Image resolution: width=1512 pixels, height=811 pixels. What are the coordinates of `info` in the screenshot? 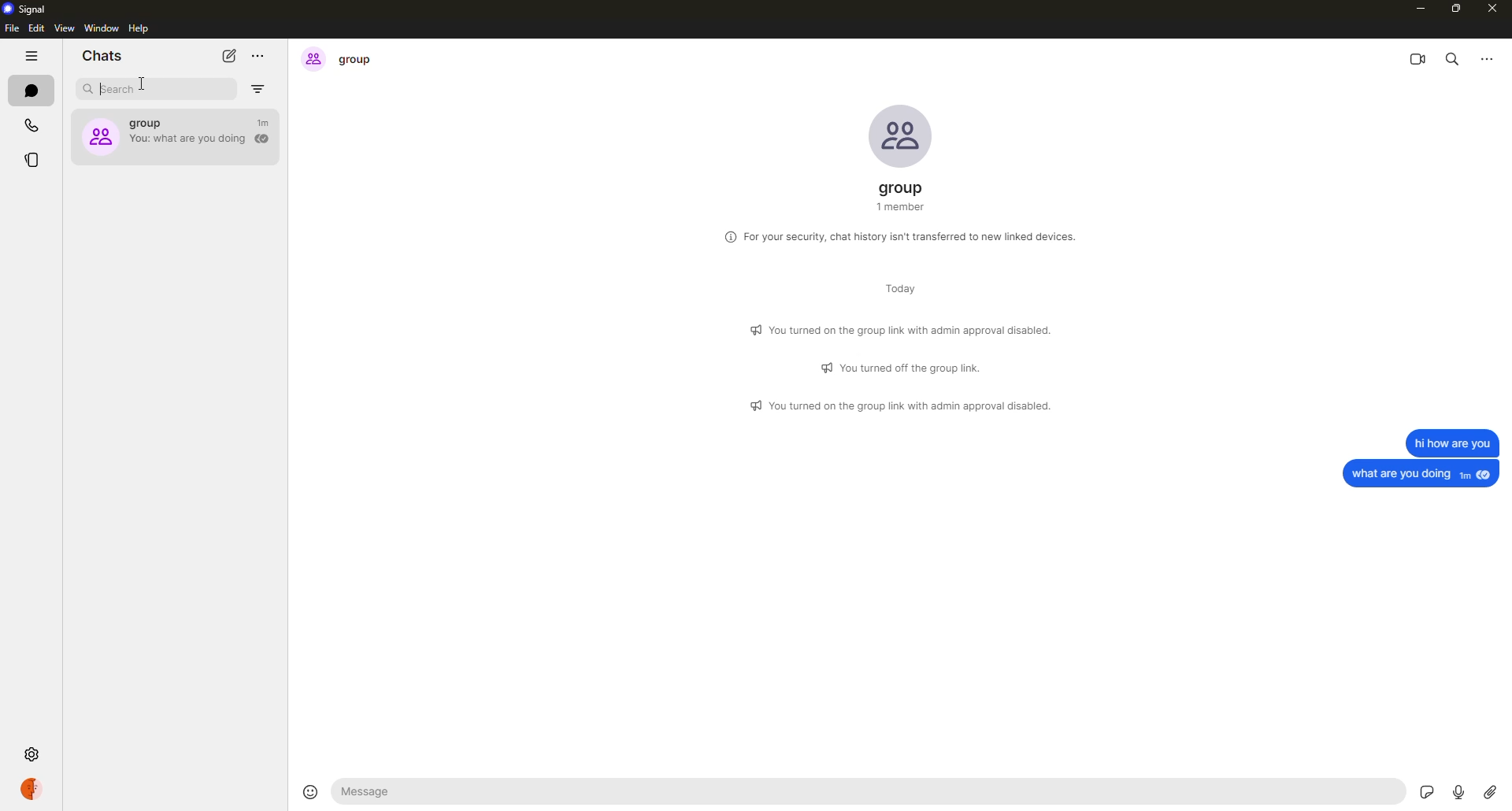 It's located at (904, 328).